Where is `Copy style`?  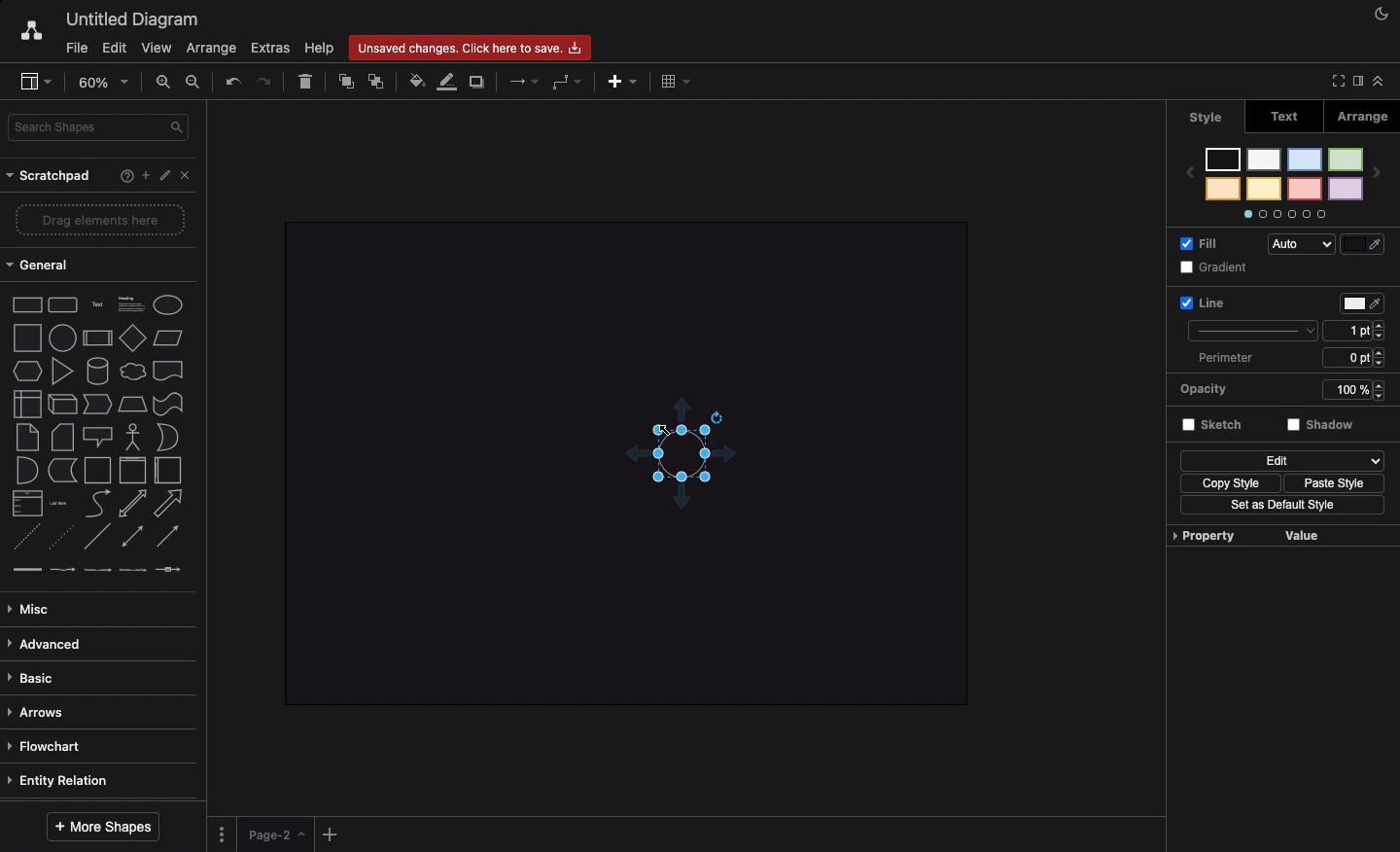 Copy style is located at coordinates (1235, 482).